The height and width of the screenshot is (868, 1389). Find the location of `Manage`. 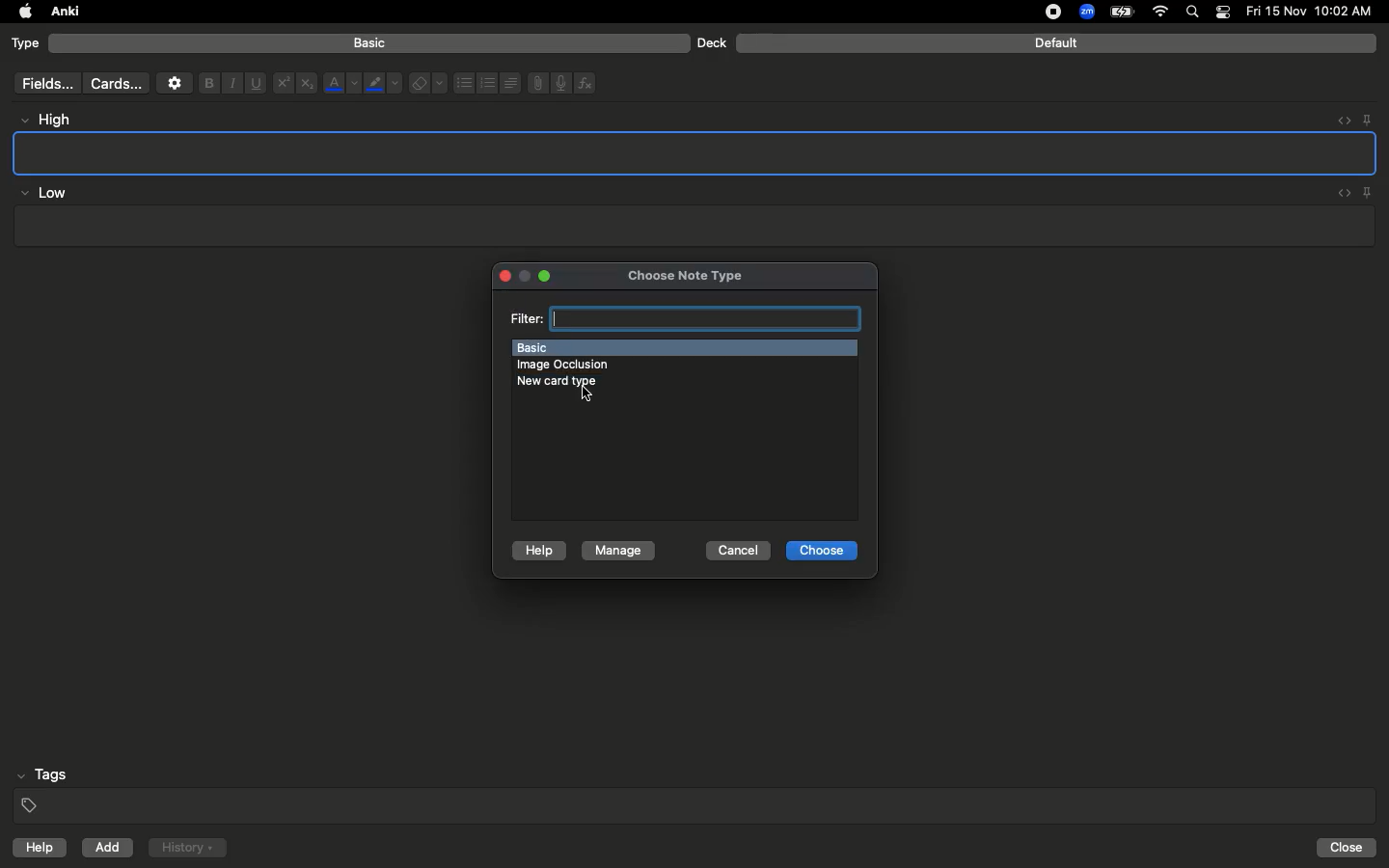

Manage is located at coordinates (618, 552).